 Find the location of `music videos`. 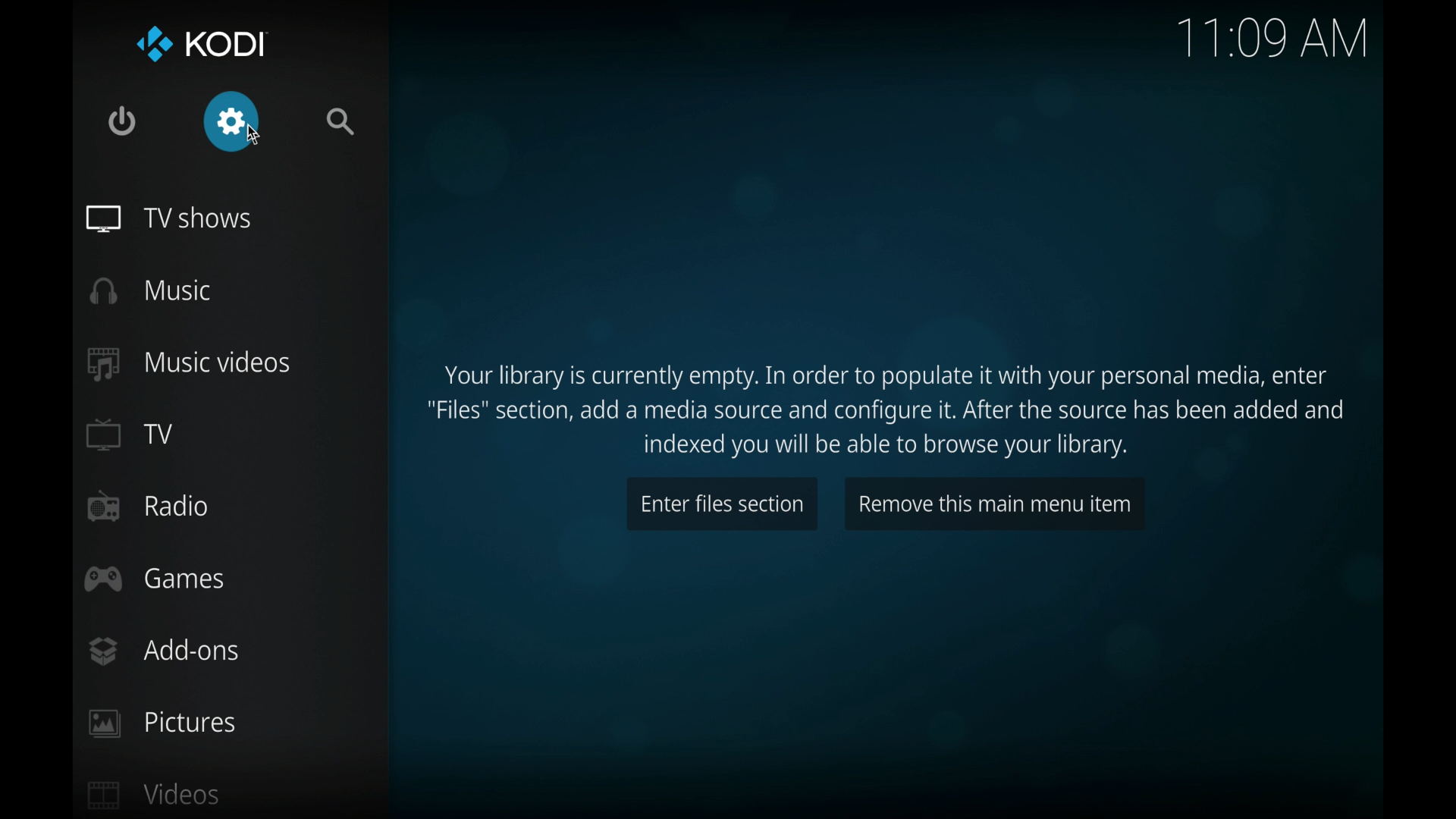

music videos is located at coordinates (190, 363).